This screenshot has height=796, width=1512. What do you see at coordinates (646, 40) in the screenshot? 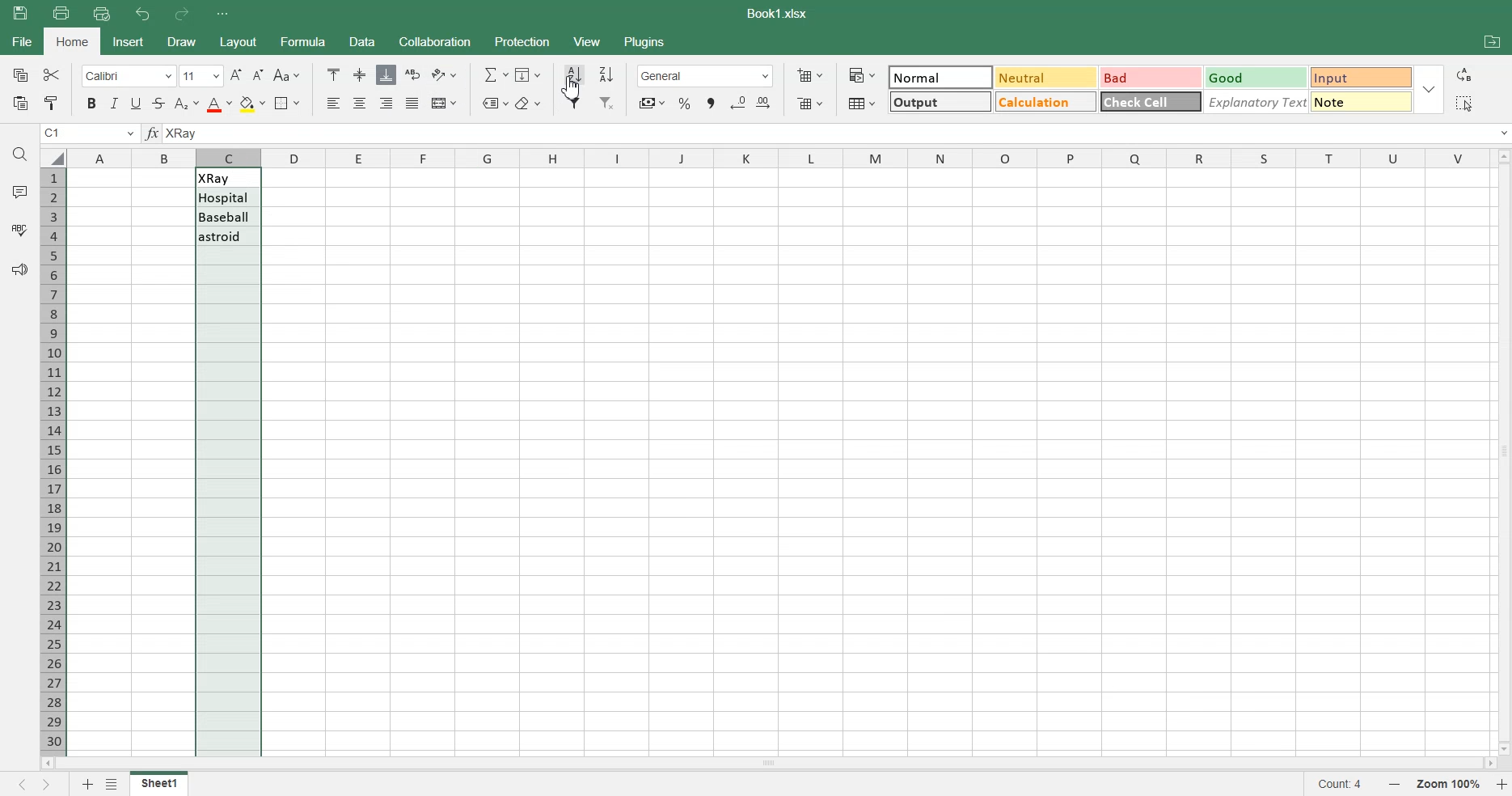
I see `Plugins` at bounding box center [646, 40].